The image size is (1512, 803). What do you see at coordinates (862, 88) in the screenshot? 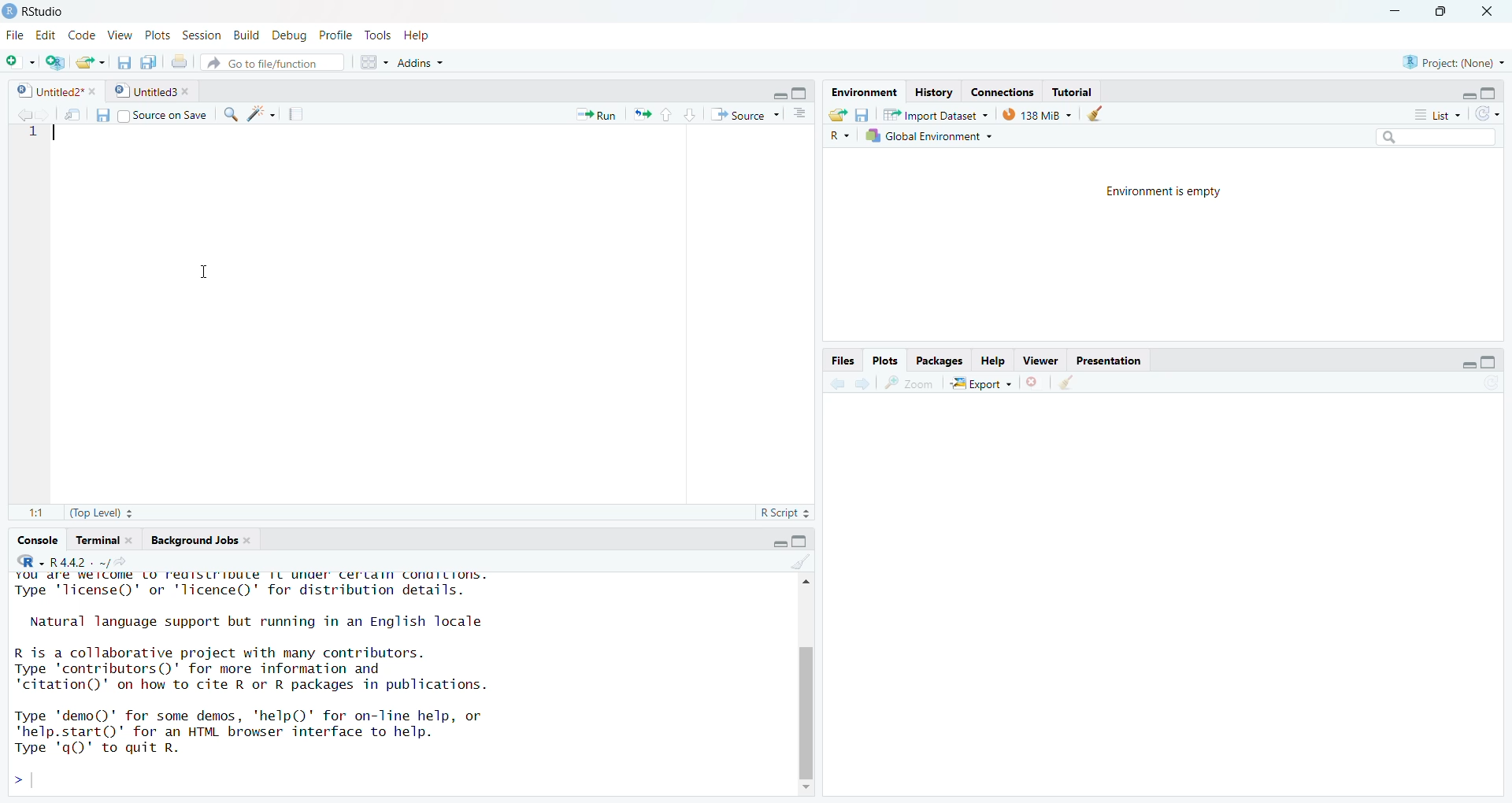
I see `[rr S—` at bounding box center [862, 88].